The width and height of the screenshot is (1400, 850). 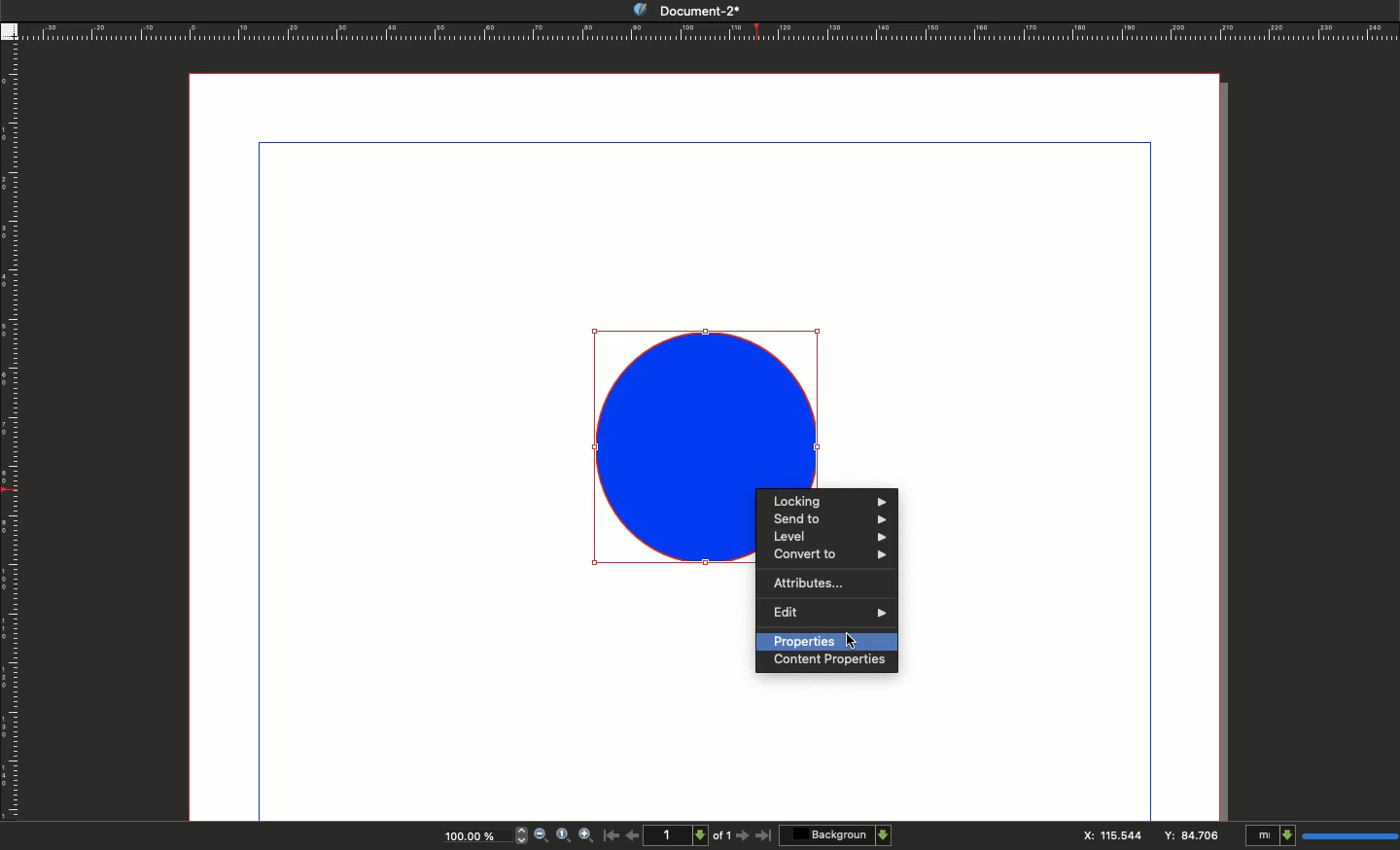 I want to click on Properties, so click(x=825, y=641).